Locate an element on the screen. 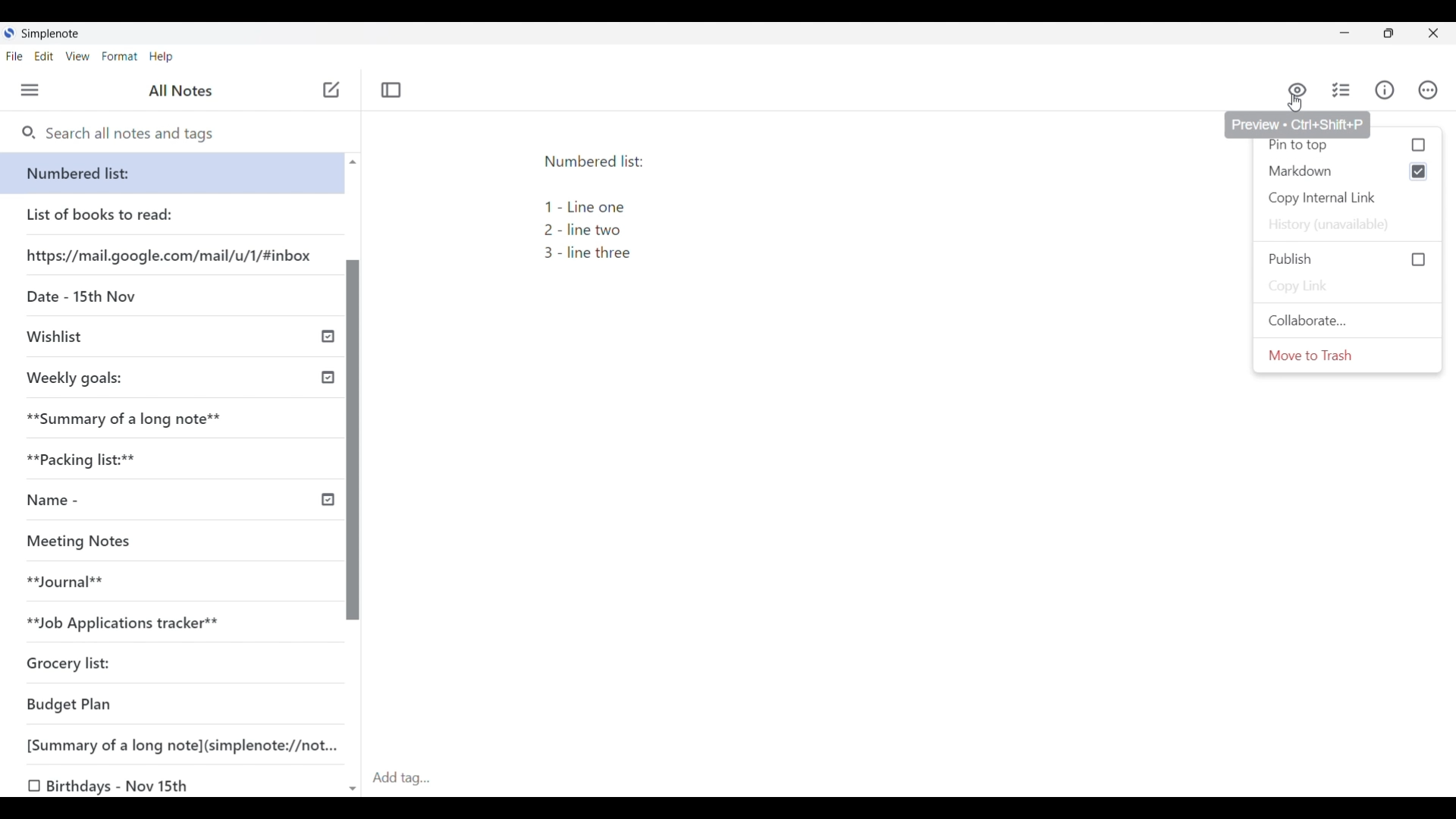  Birthdays - Nov 15th is located at coordinates (124, 784).